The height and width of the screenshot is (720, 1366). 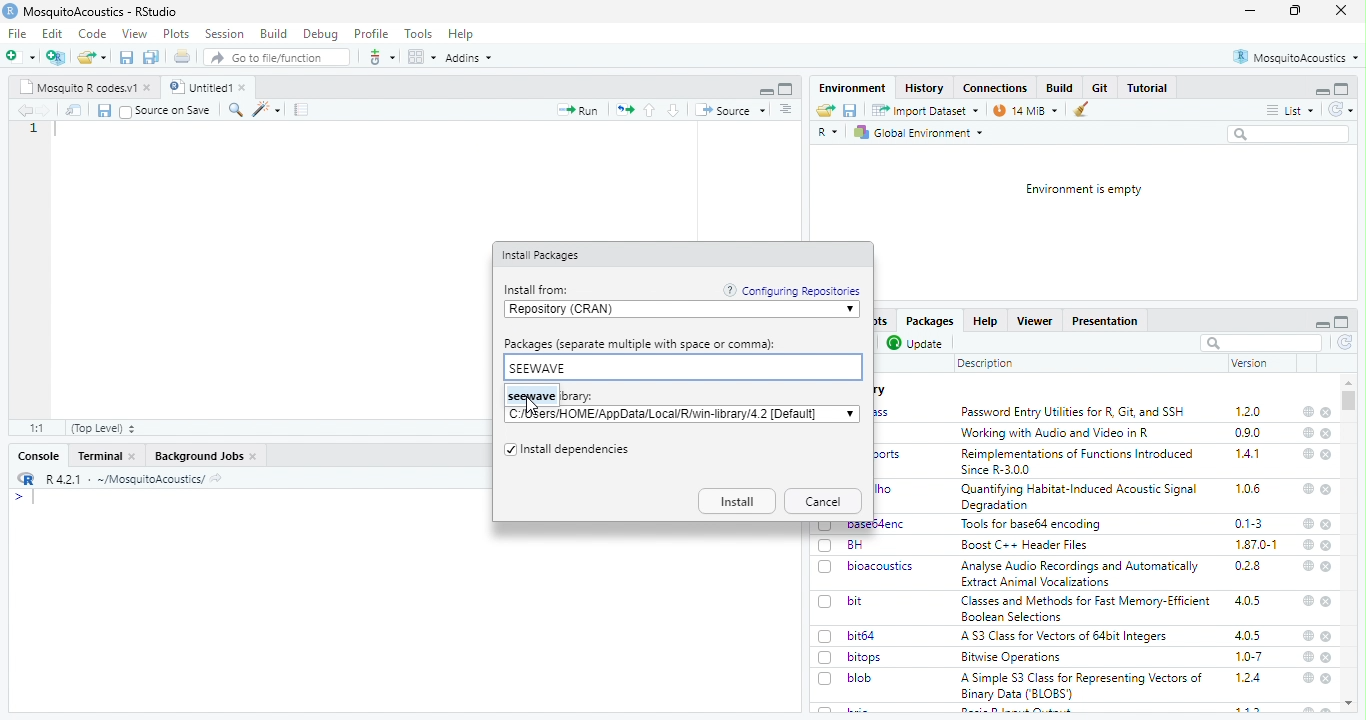 What do you see at coordinates (226, 34) in the screenshot?
I see `Session` at bounding box center [226, 34].